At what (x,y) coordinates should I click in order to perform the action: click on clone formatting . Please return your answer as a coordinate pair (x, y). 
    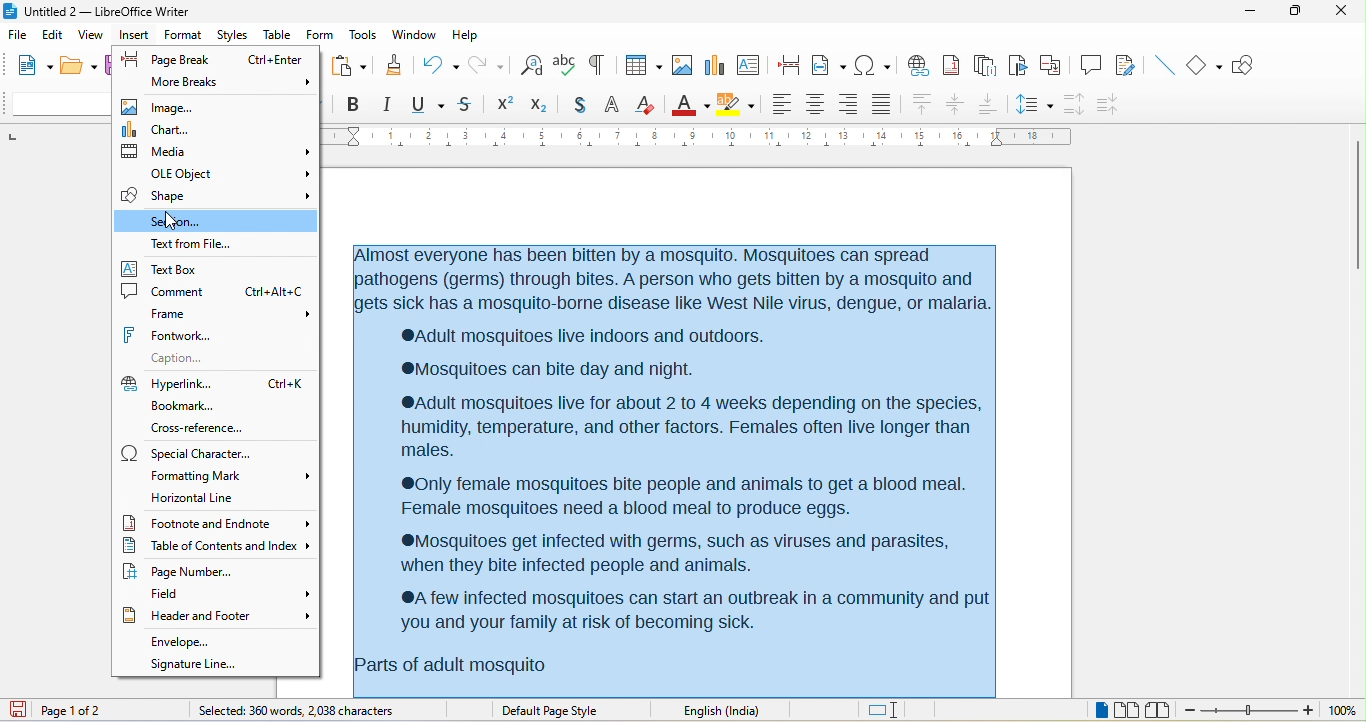
    Looking at the image, I should click on (391, 65).